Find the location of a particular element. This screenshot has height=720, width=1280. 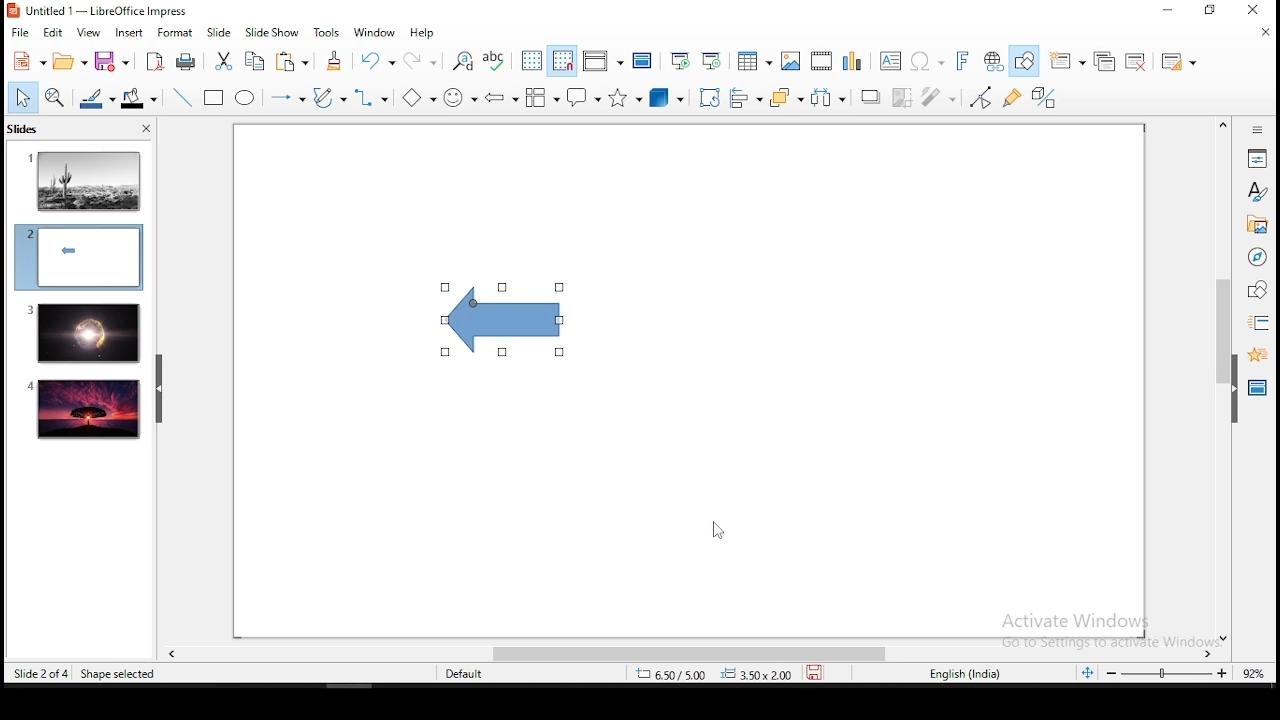

close window is located at coordinates (1257, 11).